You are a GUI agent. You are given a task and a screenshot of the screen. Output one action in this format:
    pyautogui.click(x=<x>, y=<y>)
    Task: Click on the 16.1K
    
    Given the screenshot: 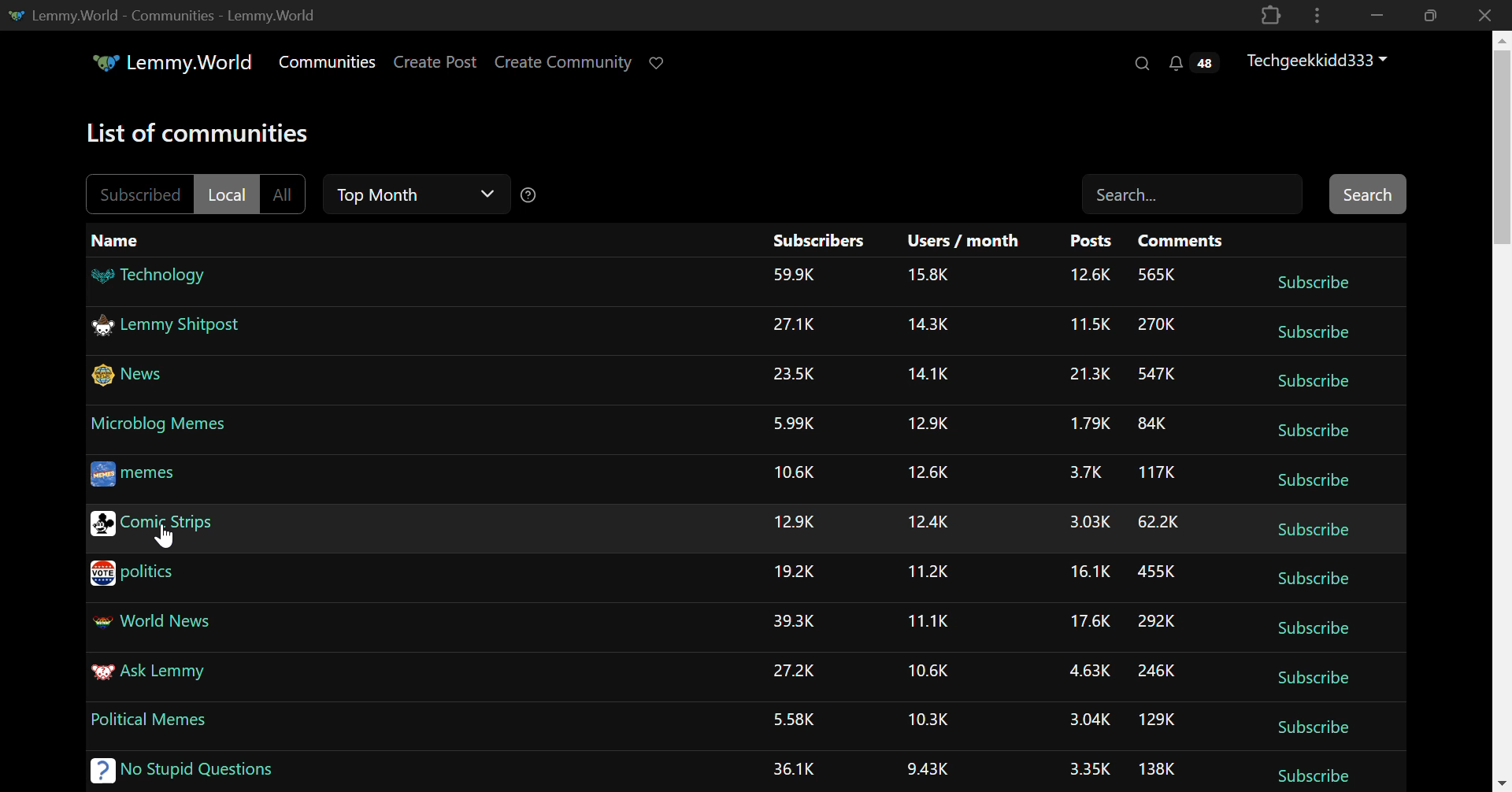 What is the action you would take?
    pyautogui.click(x=1088, y=574)
    